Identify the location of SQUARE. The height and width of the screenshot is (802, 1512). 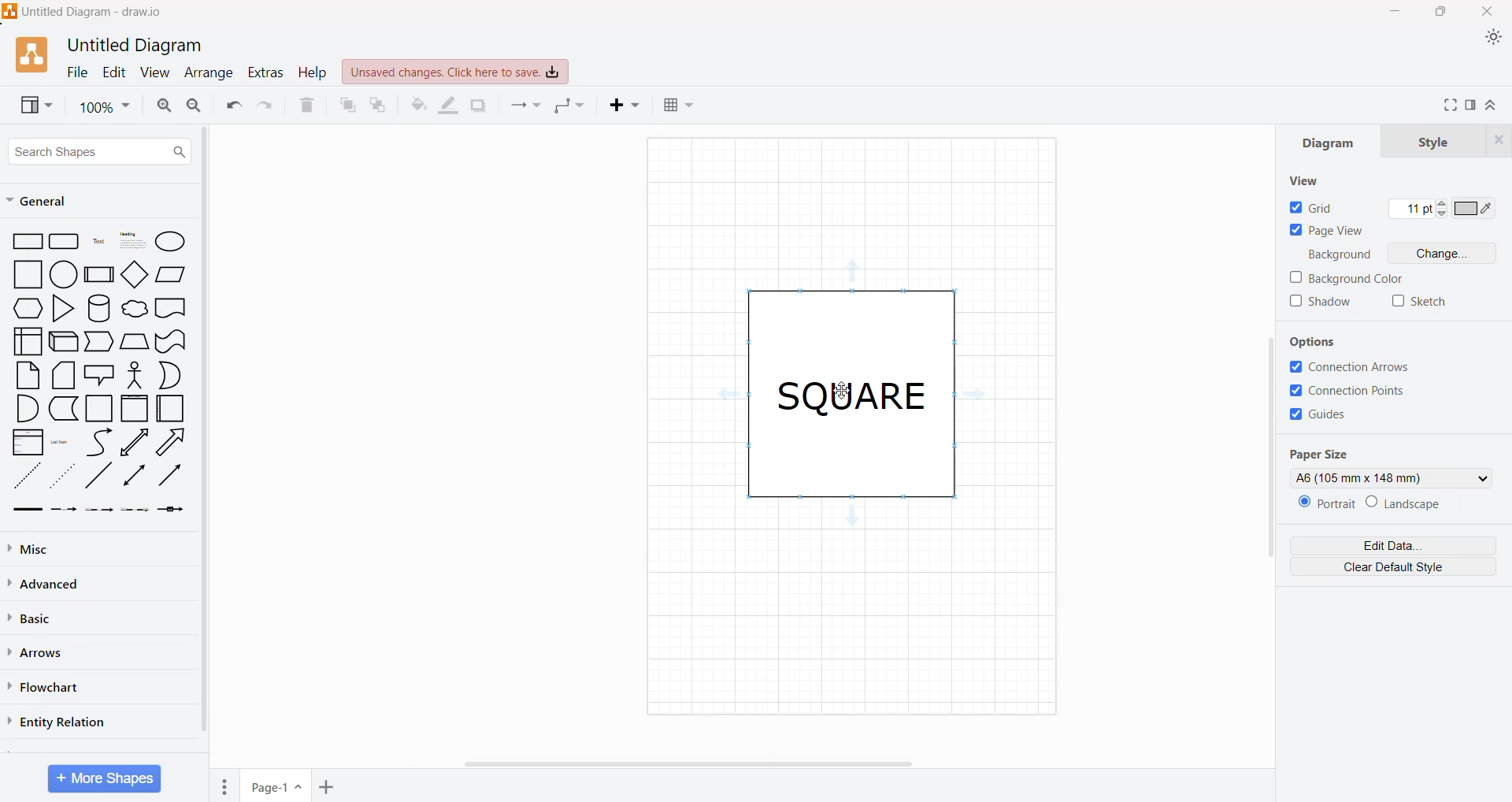
(850, 392).